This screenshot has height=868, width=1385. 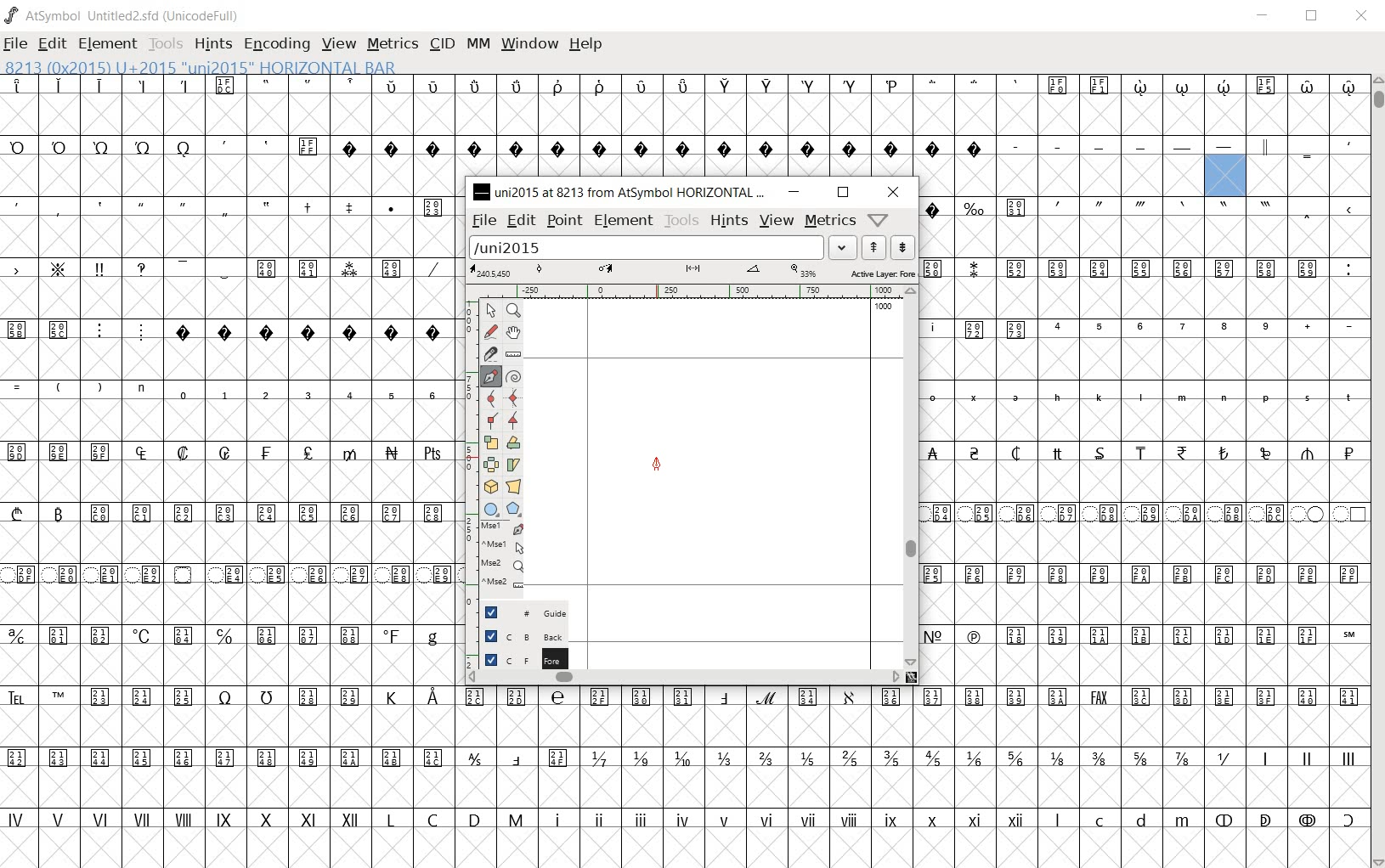 What do you see at coordinates (1145, 440) in the screenshot?
I see `glyph characters` at bounding box center [1145, 440].